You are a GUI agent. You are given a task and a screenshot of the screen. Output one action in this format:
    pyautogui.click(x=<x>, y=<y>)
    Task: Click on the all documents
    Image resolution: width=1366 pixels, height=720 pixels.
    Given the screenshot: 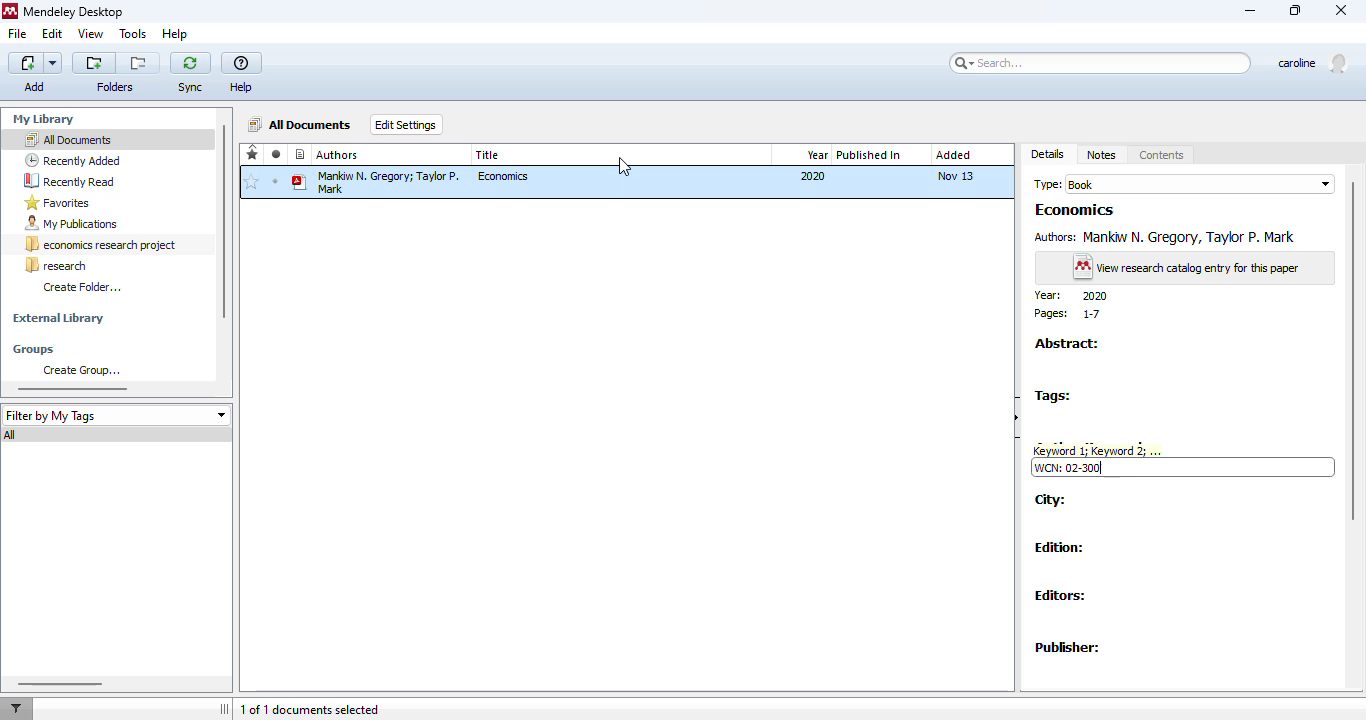 What is the action you would take?
    pyautogui.click(x=67, y=139)
    